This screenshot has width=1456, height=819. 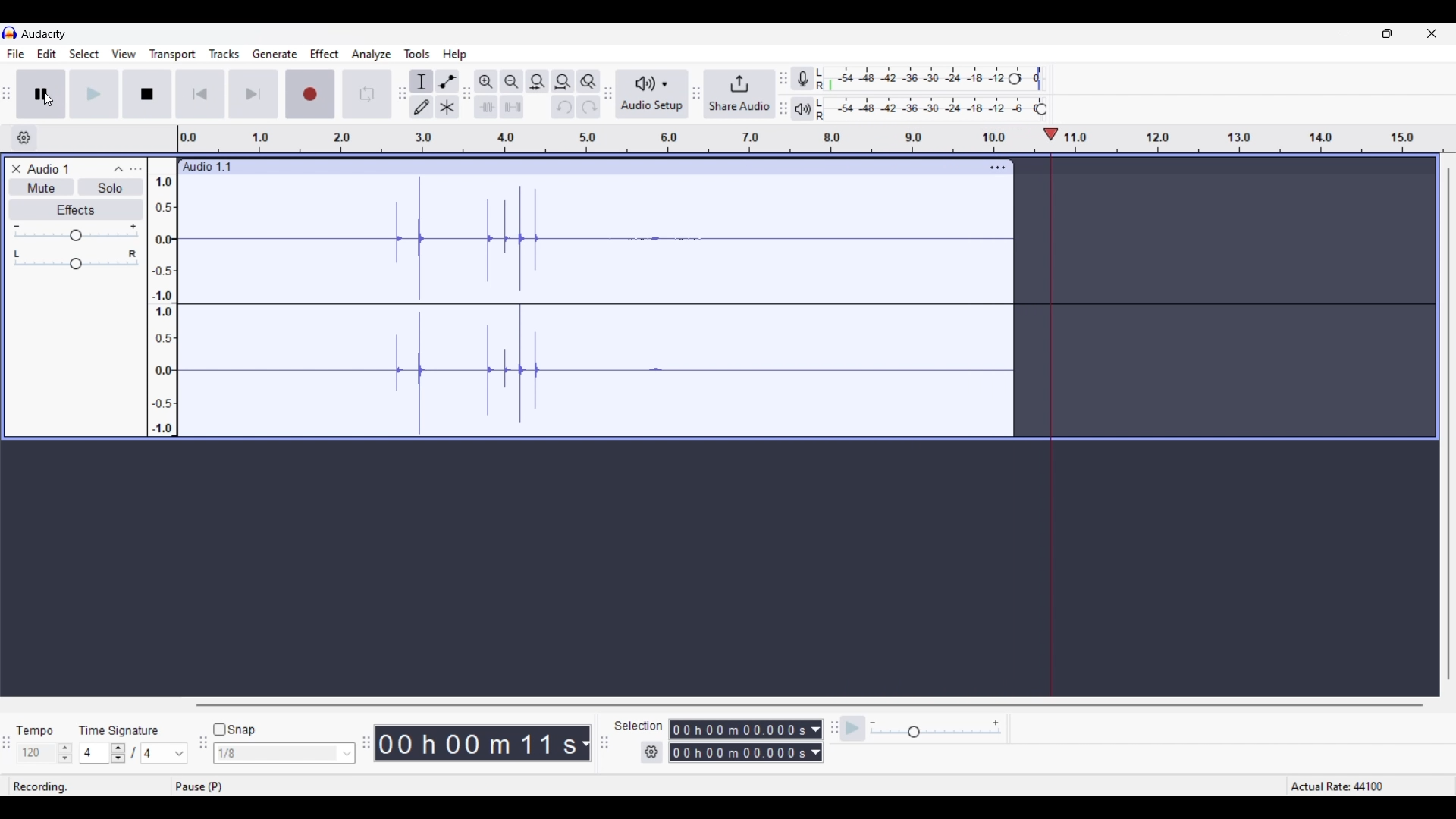 I want to click on Skip/Select to start, so click(x=201, y=94).